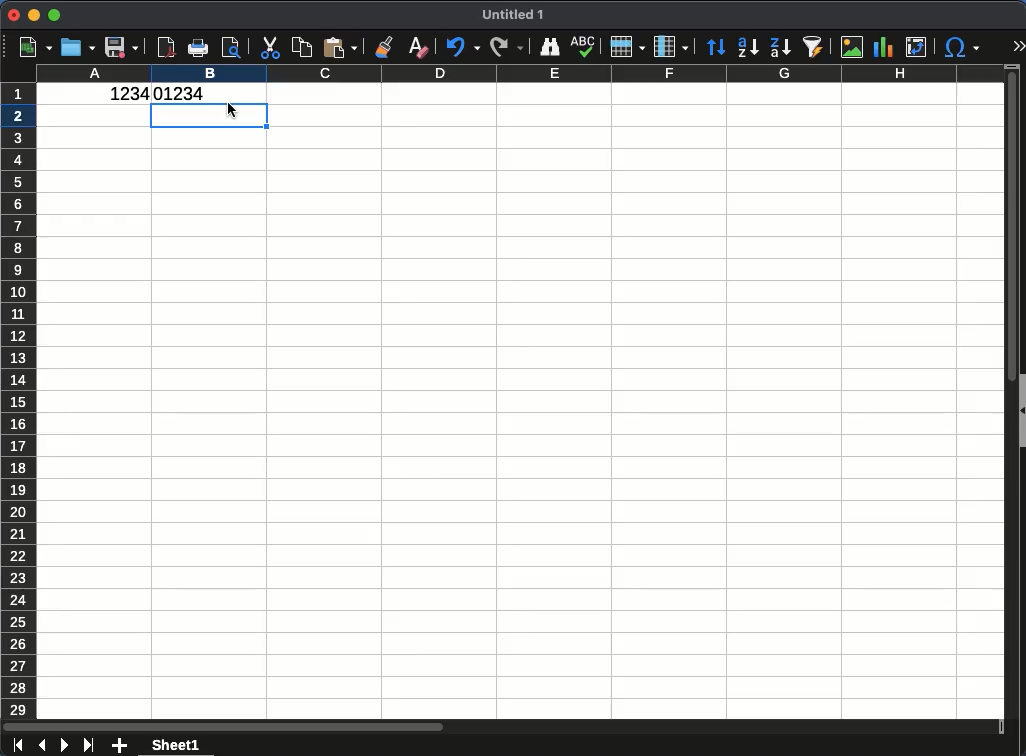 This screenshot has width=1026, height=756. What do you see at coordinates (78, 47) in the screenshot?
I see `open` at bounding box center [78, 47].